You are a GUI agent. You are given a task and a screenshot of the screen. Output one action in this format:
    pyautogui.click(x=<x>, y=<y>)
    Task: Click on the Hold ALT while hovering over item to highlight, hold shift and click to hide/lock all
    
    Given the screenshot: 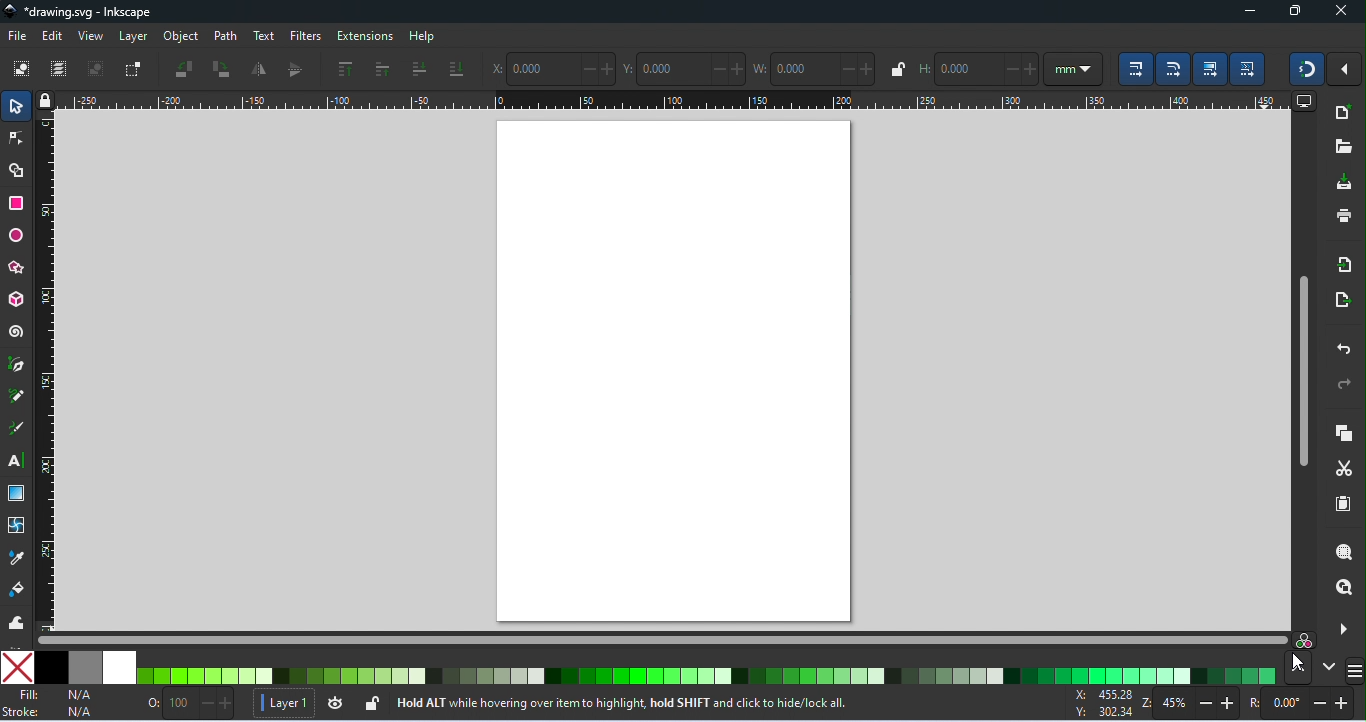 What is the action you would take?
    pyautogui.click(x=622, y=699)
    